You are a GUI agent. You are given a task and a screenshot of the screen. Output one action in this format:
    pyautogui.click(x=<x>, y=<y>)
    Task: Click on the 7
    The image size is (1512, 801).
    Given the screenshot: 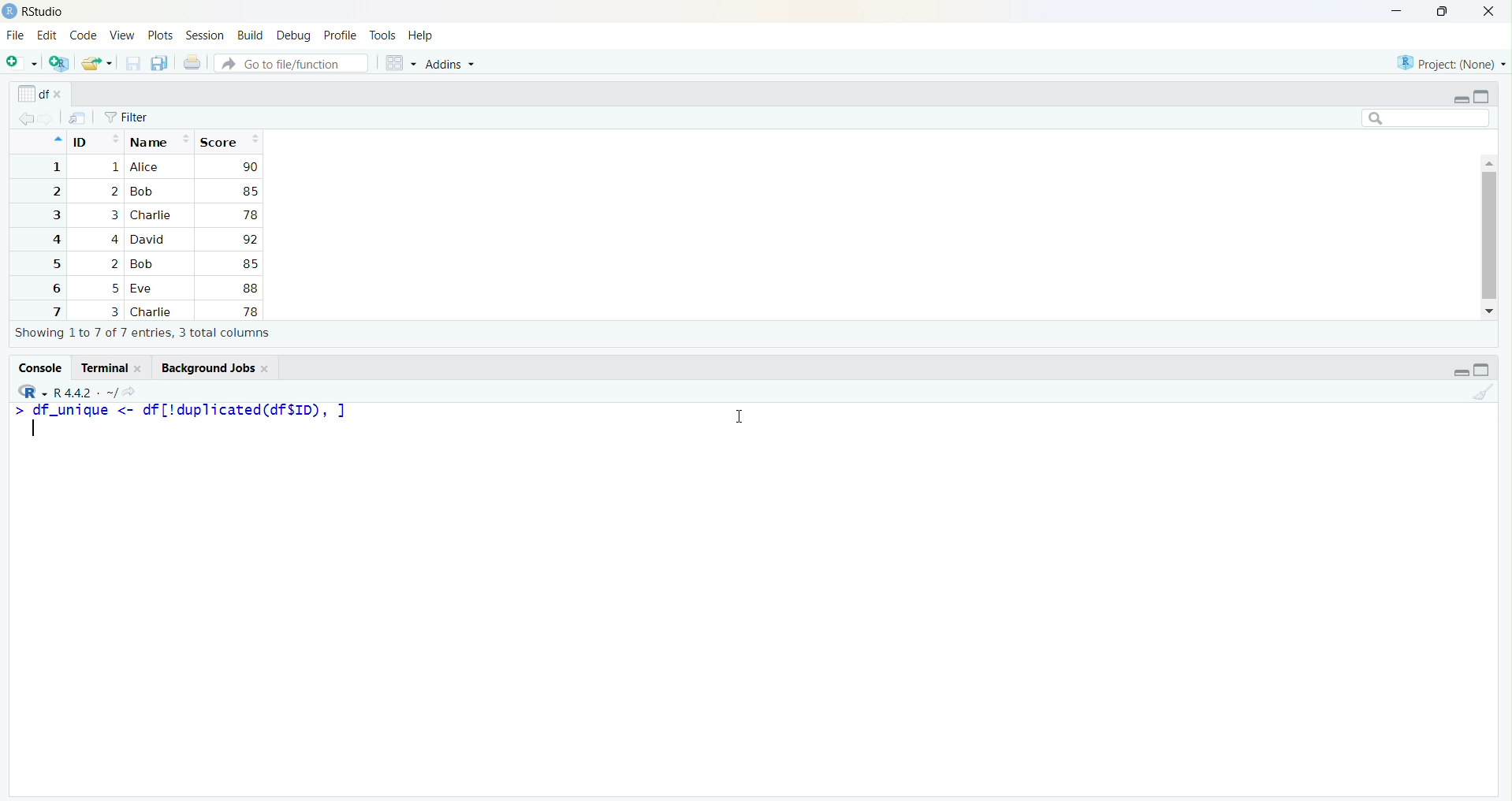 What is the action you would take?
    pyautogui.click(x=54, y=311)
    